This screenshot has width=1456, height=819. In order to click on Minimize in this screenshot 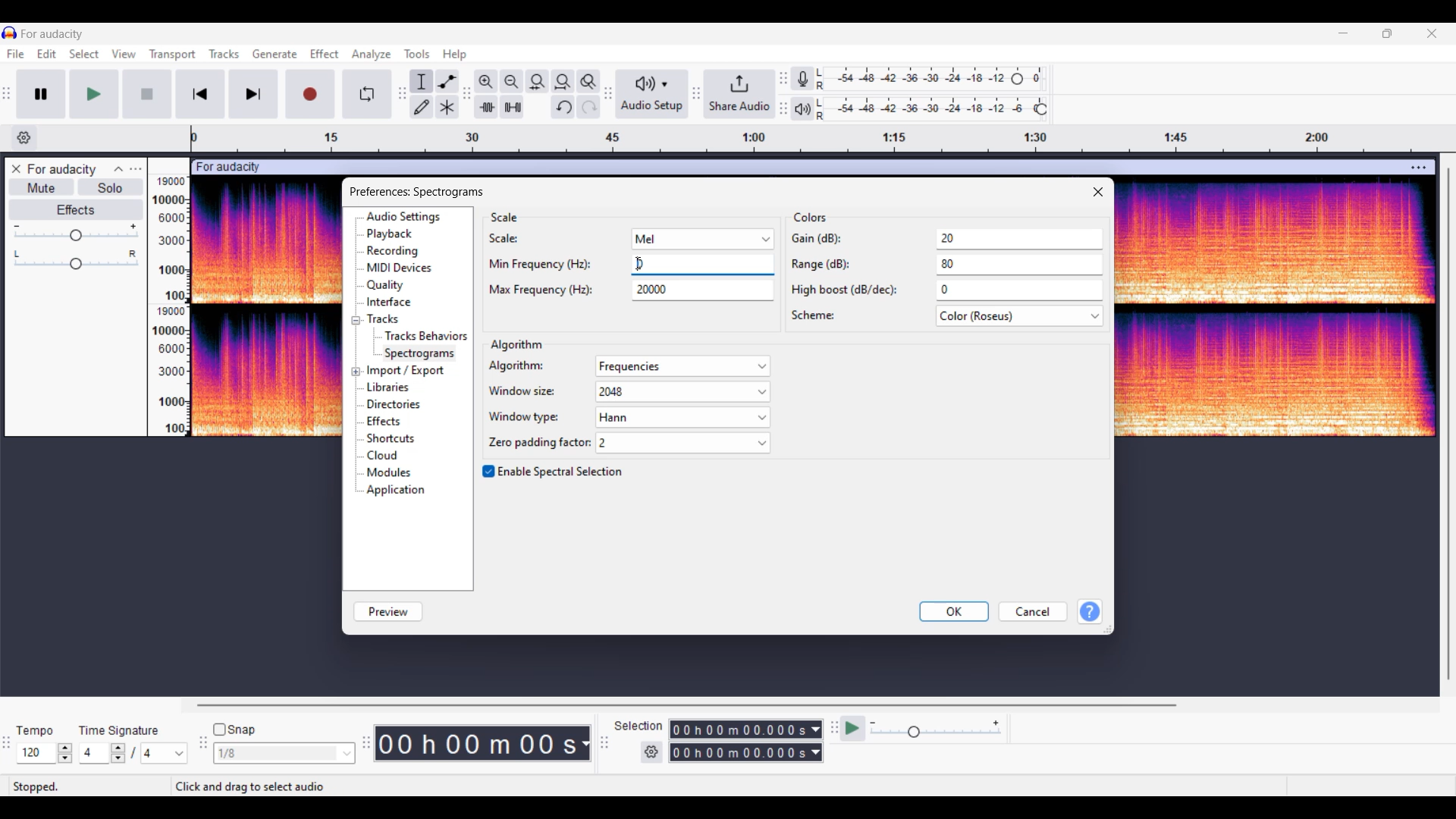, I will do `click(1344, 33)`.